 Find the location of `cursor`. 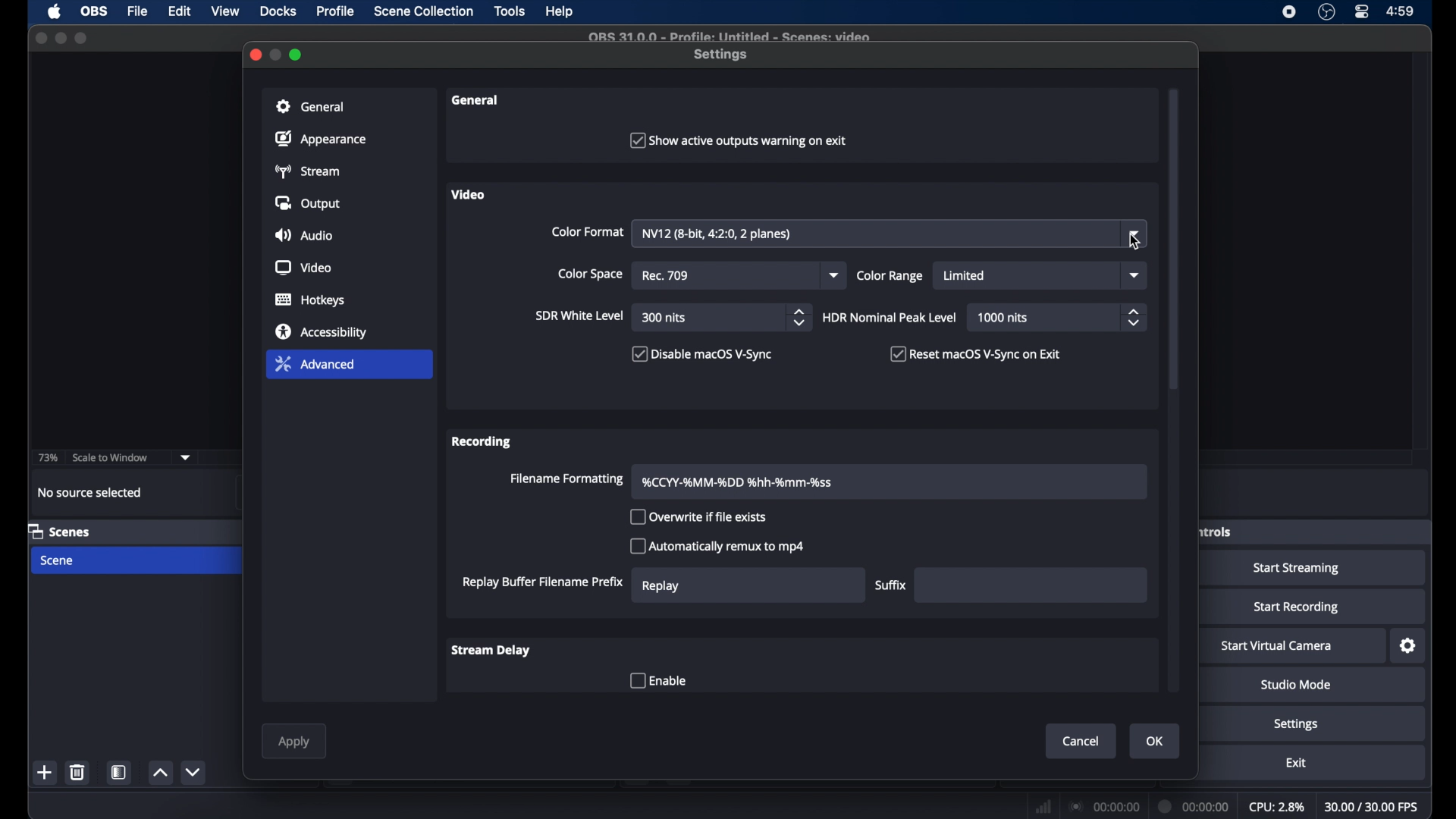

cursor is located at coordinates (1133, 242).